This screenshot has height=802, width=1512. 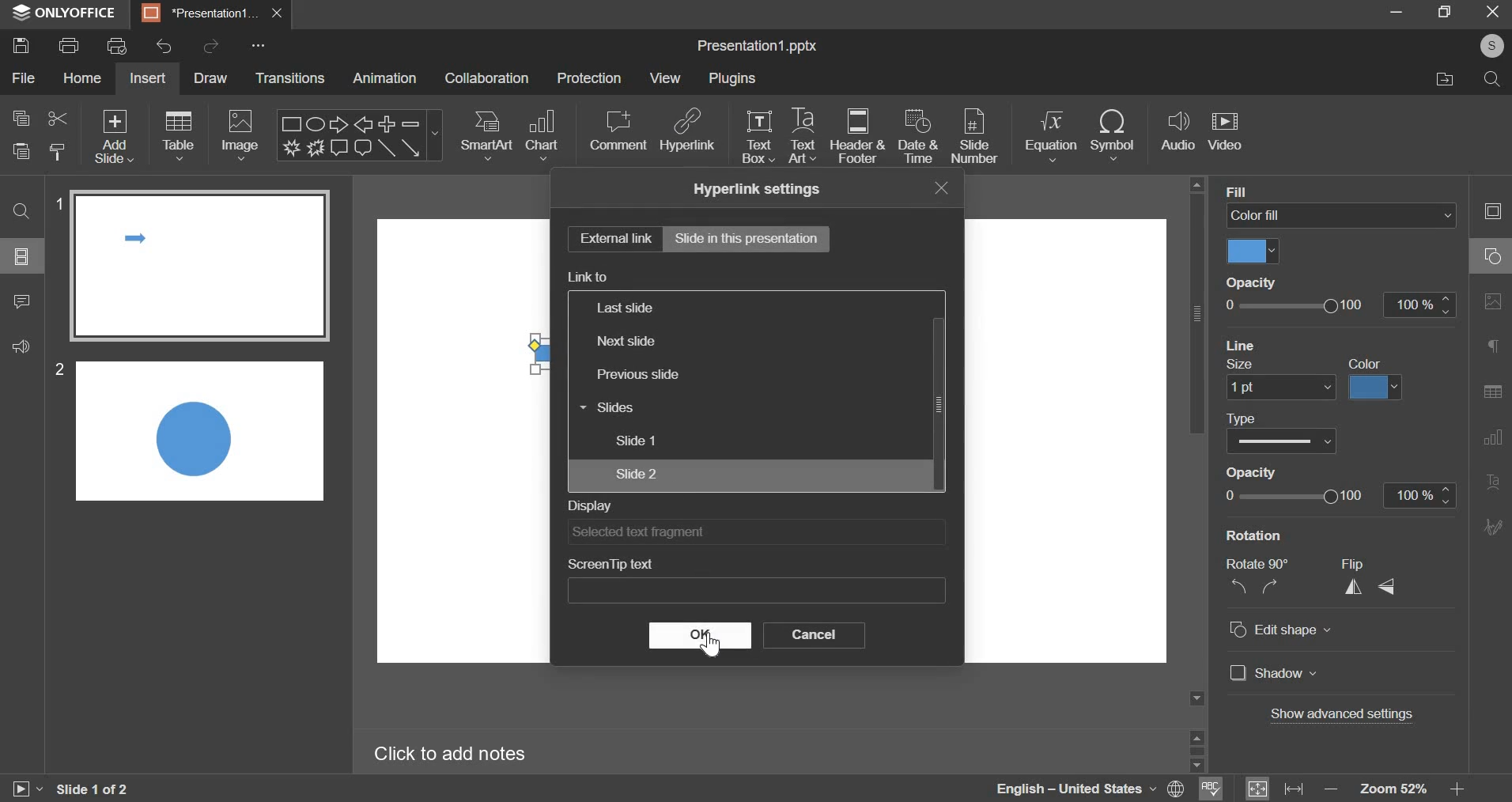 What do you see at coordinates (1242, 419) in the screenshot?
I see `Type` at bounding box center [1242, 419].